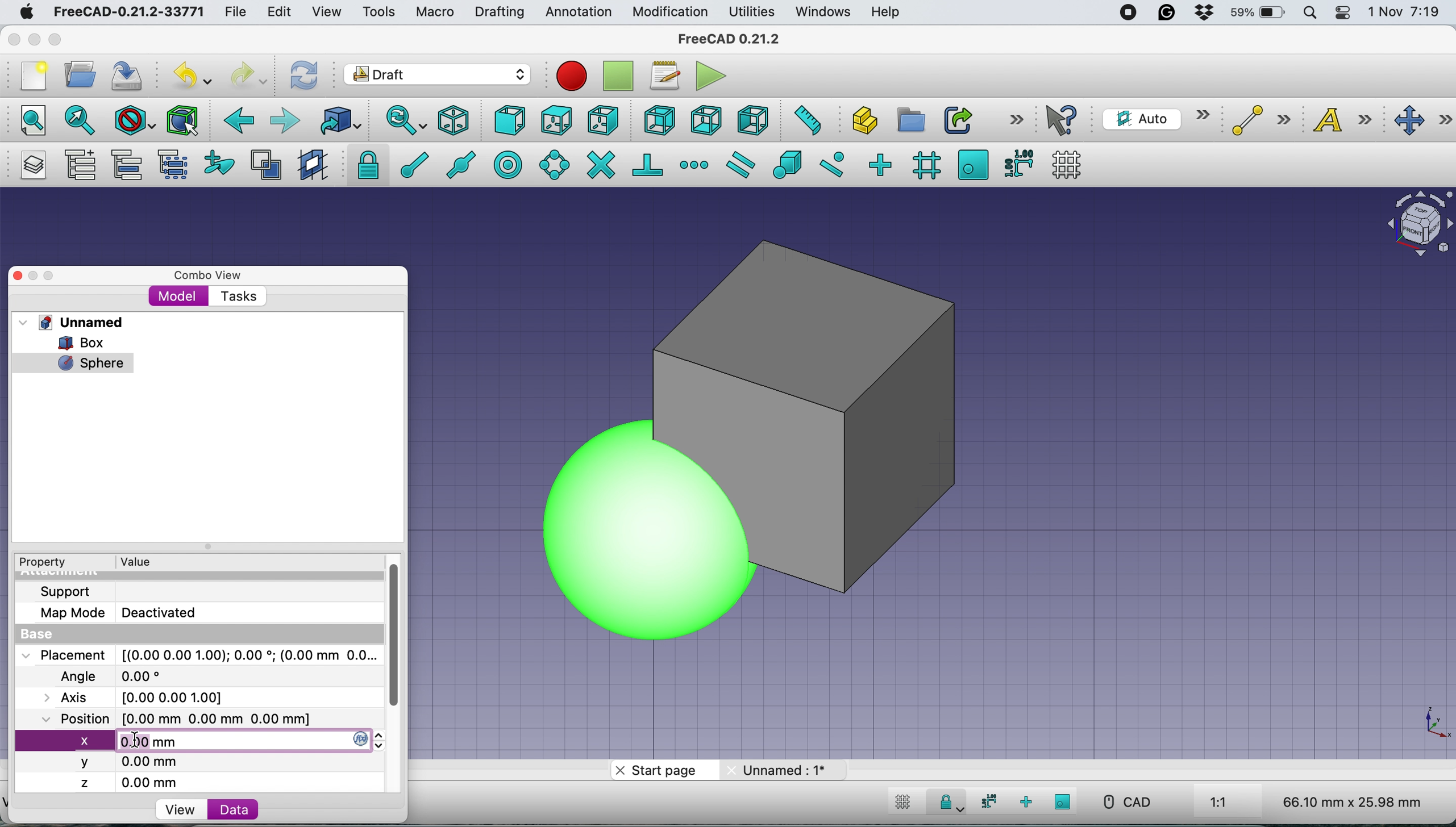  Describe the element at coordinates (172, 167) in the screenshot. I see `select group` at that location.